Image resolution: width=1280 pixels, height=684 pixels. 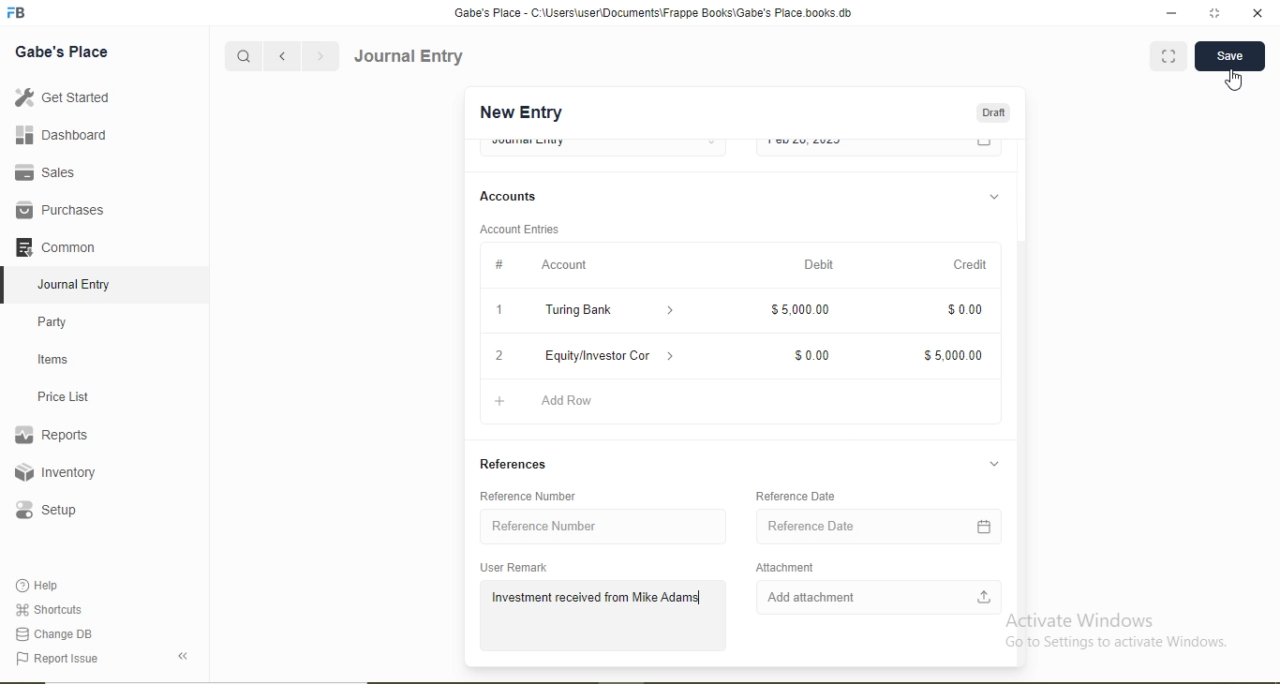 What do you see at coordinates (820, 263) in the screenshot?
I see `Debit` at bounding box center [820, 263].